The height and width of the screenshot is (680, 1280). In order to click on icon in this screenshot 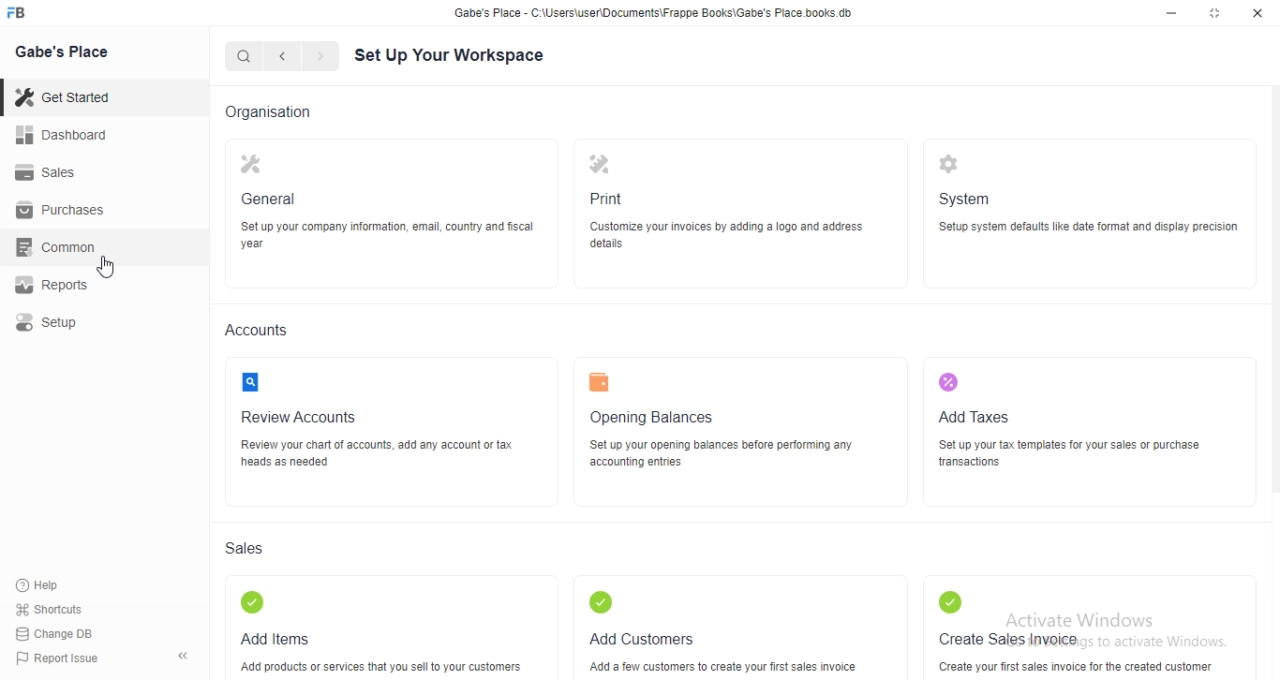, I will do `click(252, 167)`.